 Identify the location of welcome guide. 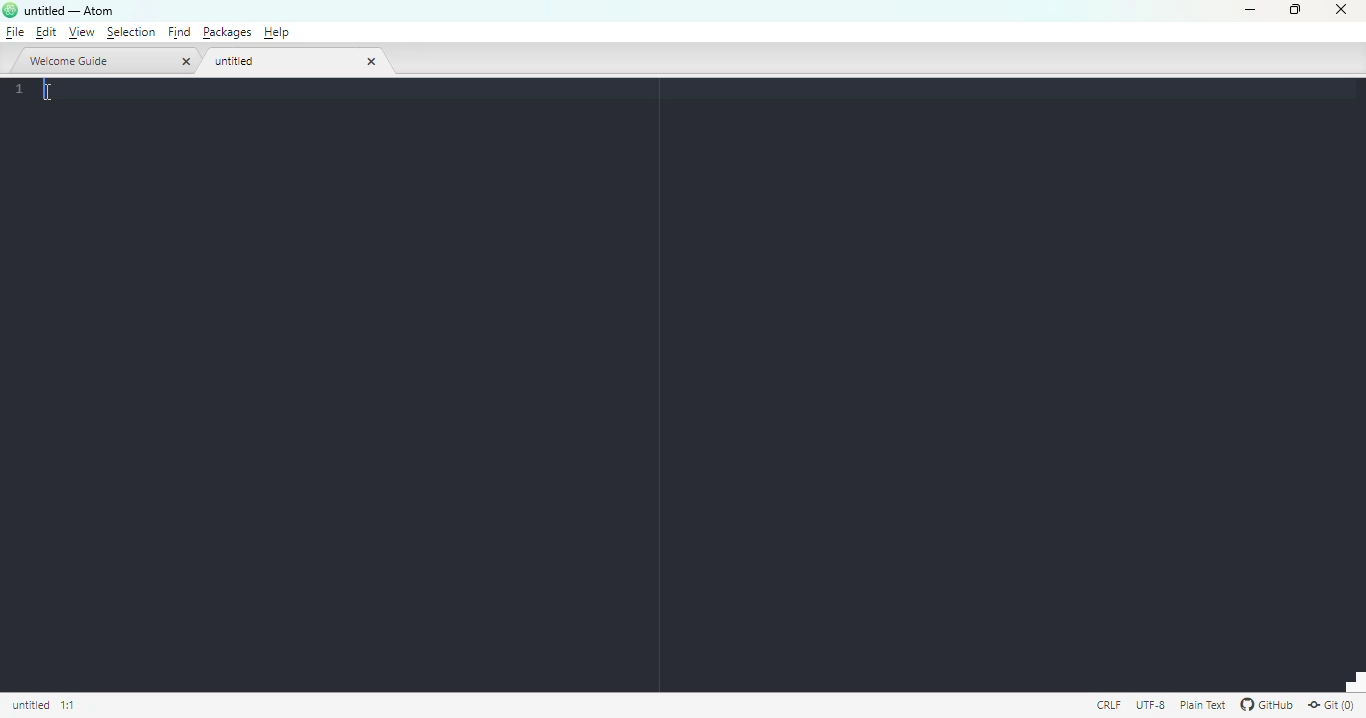
(96, 61).